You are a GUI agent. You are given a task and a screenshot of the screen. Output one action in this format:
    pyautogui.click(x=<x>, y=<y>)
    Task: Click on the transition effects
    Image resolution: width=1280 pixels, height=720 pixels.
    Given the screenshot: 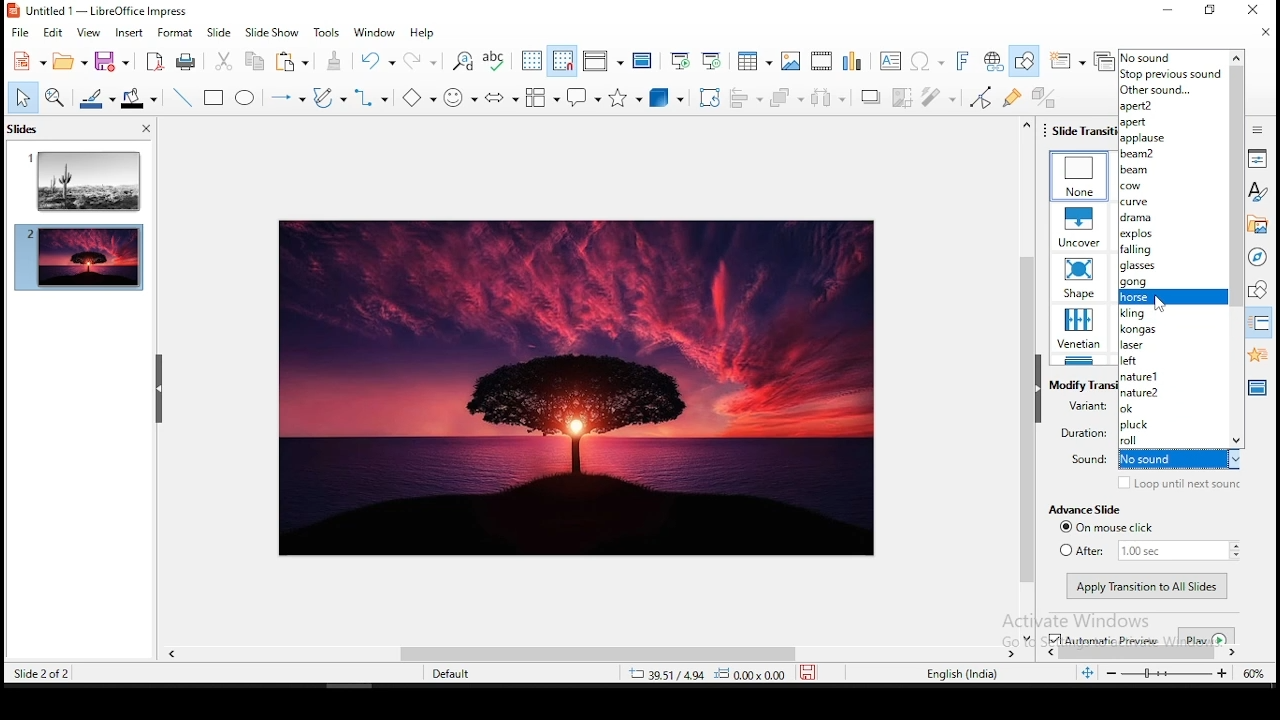 What is the action you would take?
    pyautogui.click(x=1079, y=330)
    